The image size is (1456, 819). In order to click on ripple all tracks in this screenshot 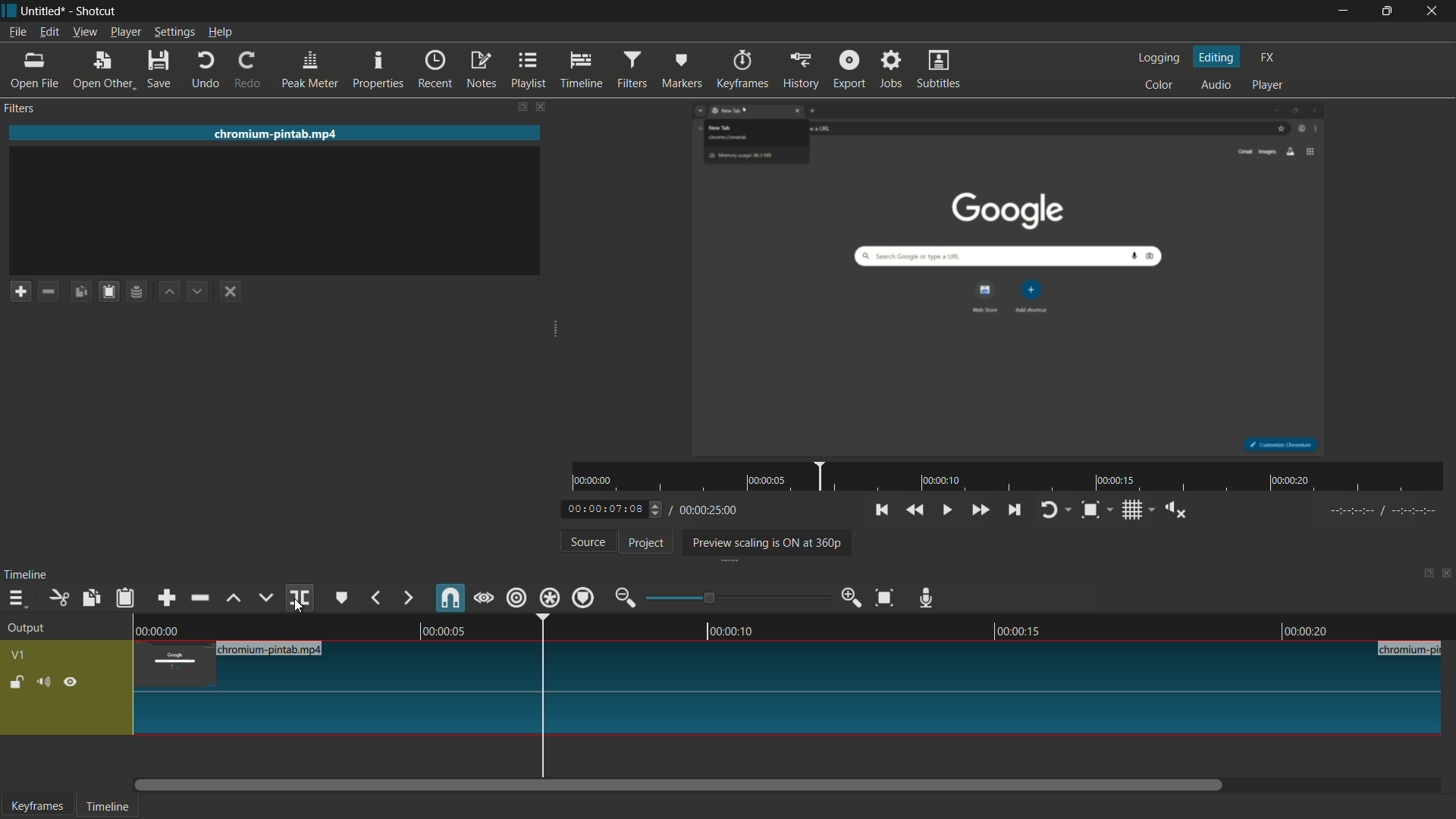, I will do `click(548, 598)`.